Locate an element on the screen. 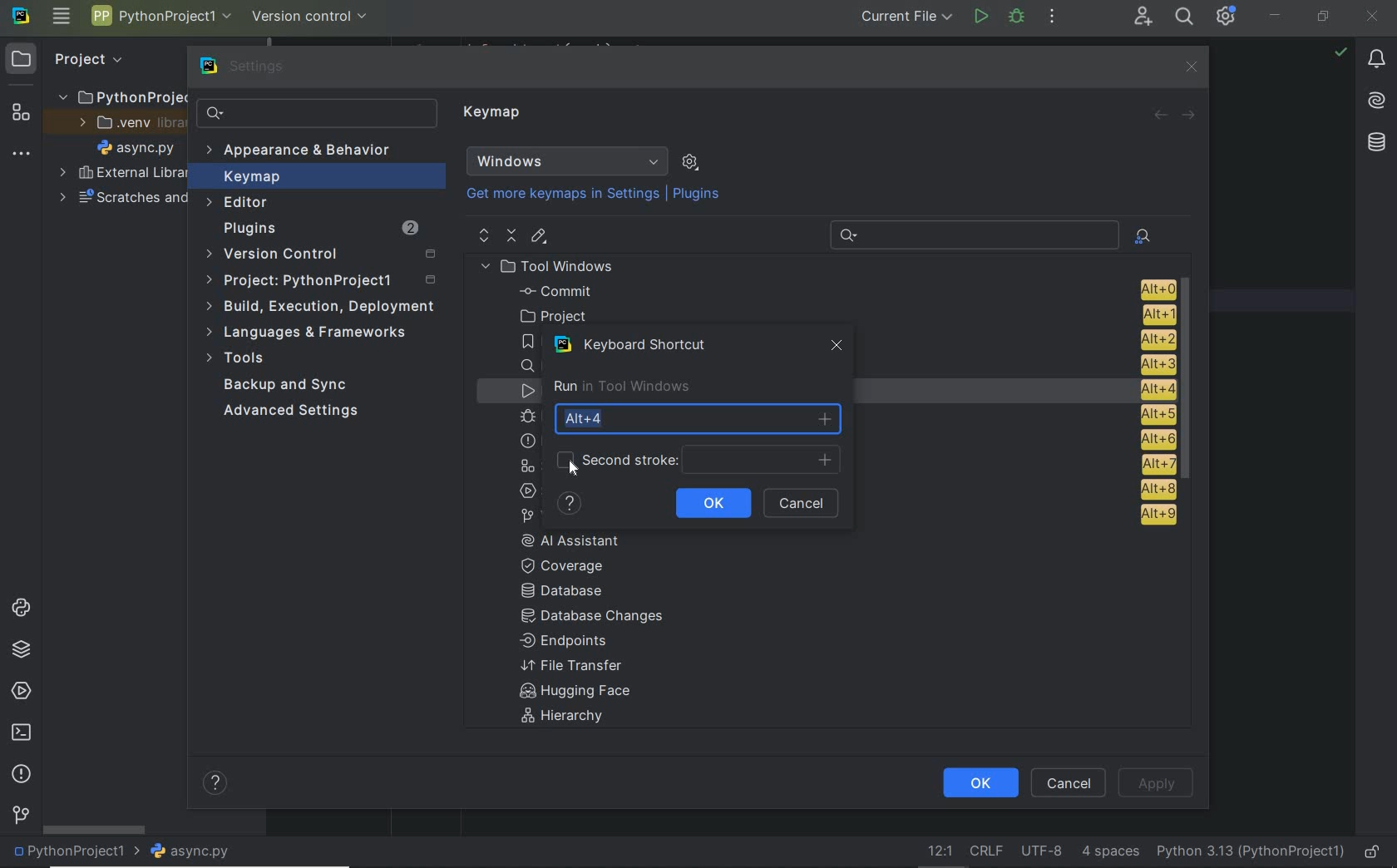  problems is located at coordinates (21, 775).